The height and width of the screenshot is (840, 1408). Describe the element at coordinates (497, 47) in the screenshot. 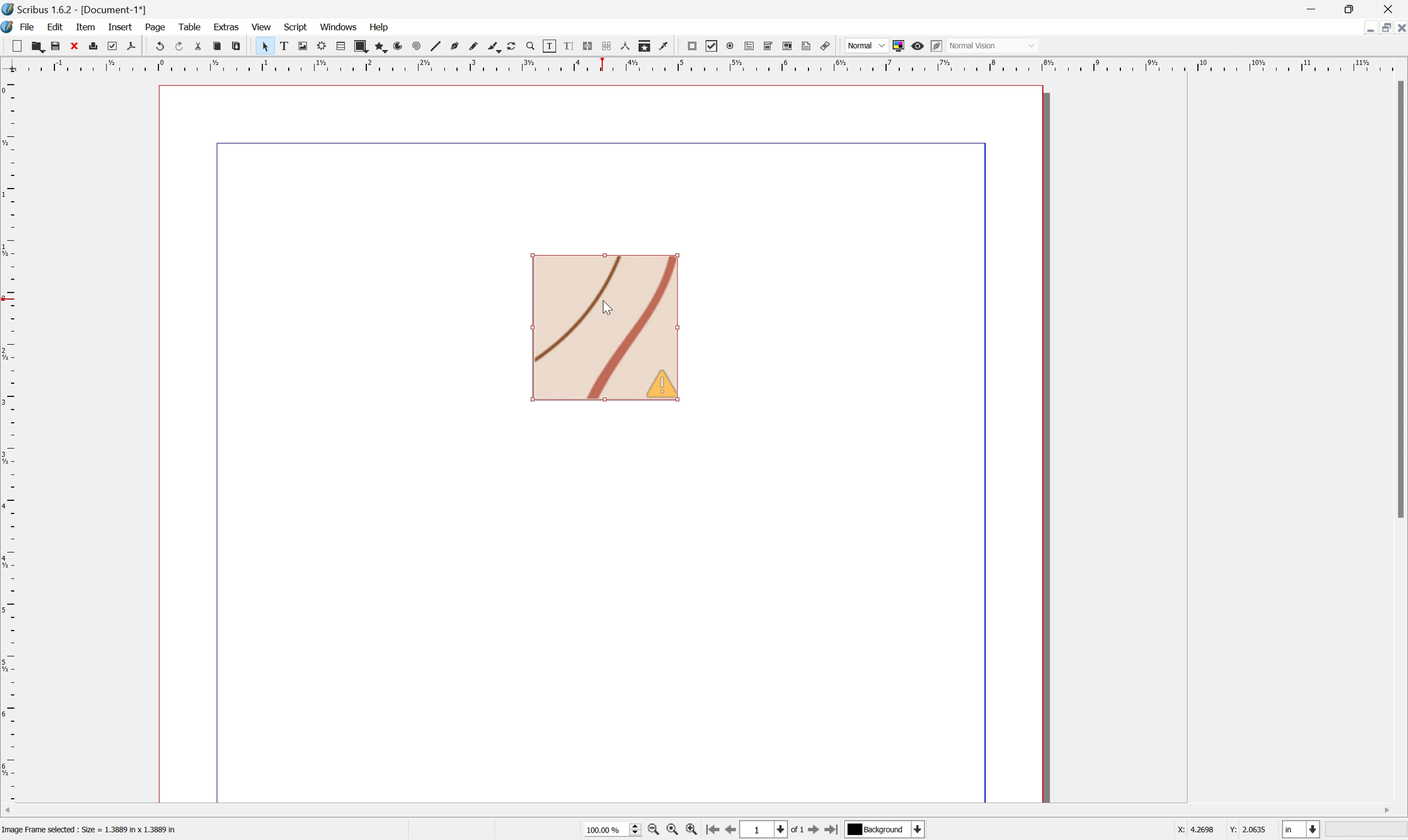

I see `Calligraphic line` at that location.